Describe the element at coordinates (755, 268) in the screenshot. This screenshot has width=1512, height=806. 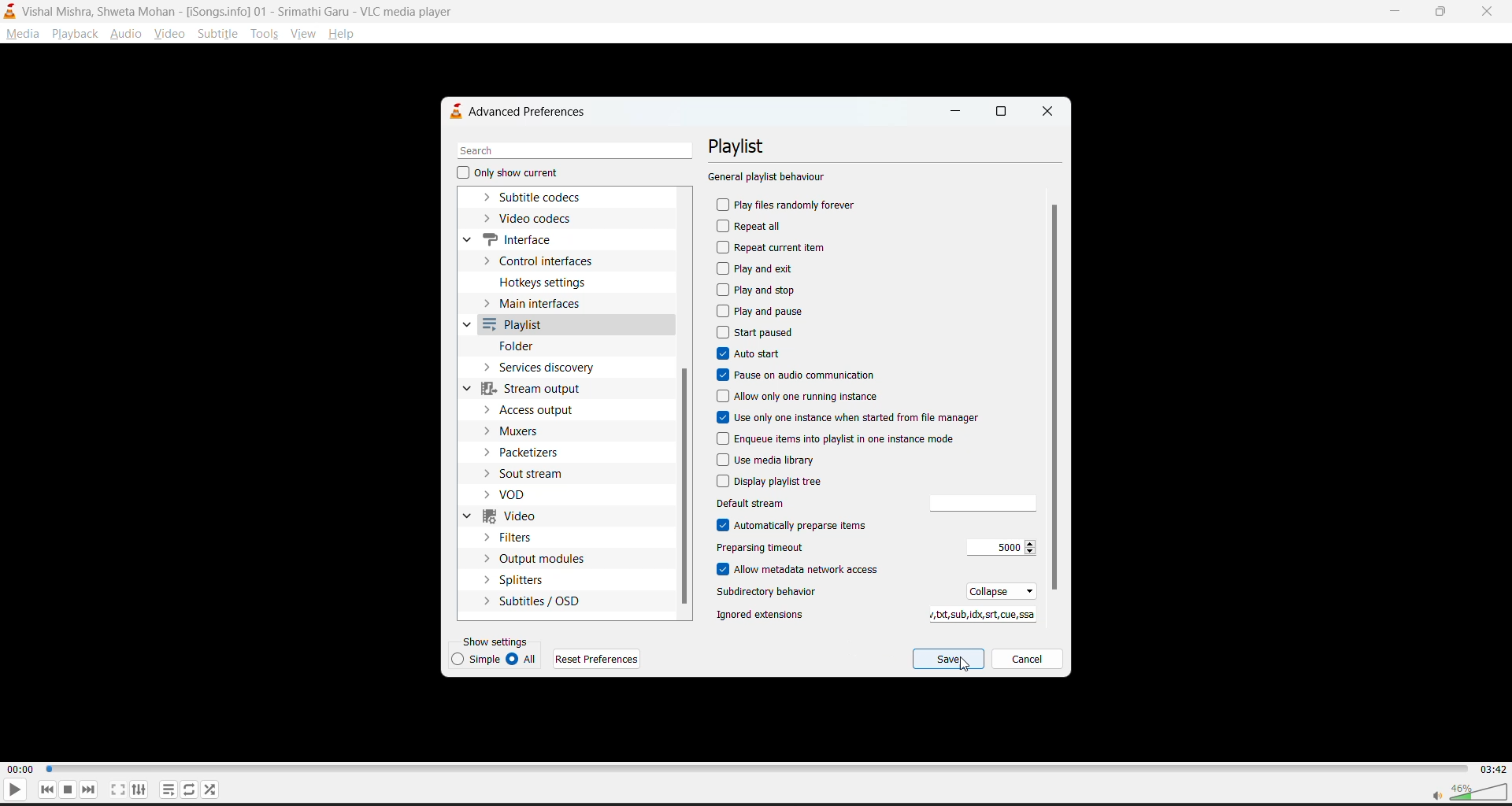
I see `play and exit` at that location.